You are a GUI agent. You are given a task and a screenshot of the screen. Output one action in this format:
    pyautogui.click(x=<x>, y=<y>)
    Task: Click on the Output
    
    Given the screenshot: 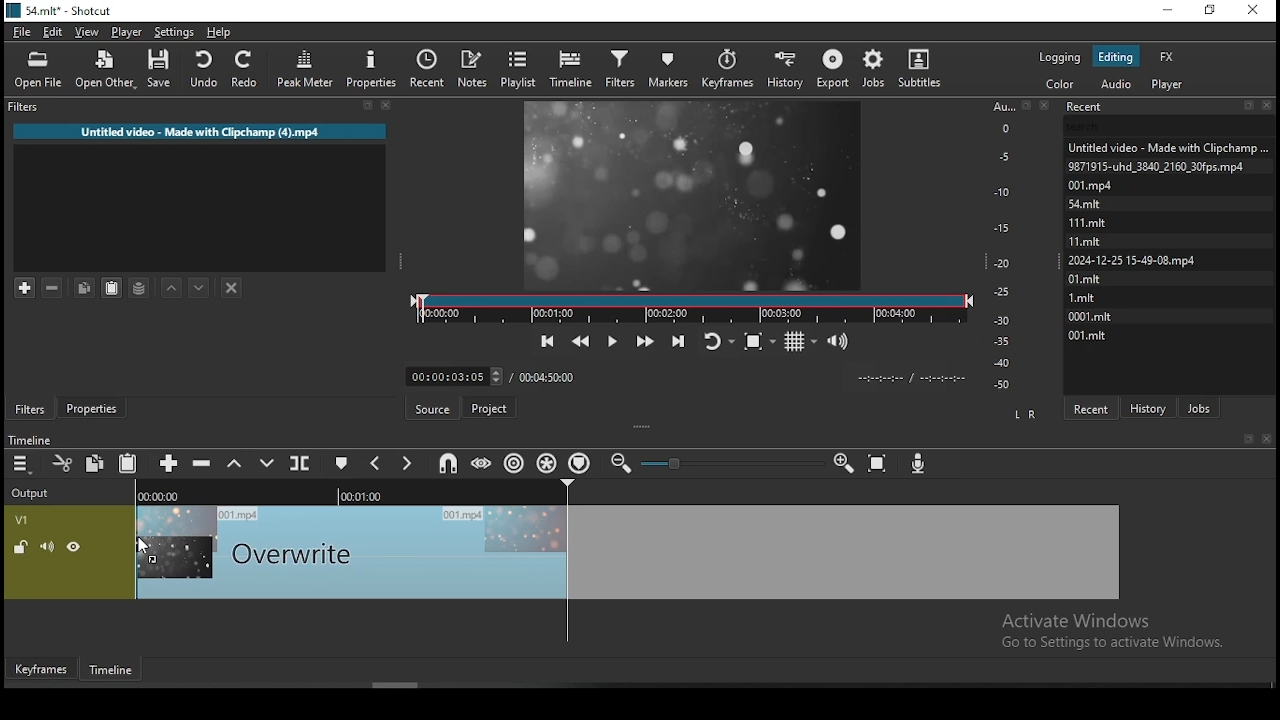 What is the action you would take?
    pyautogui.click(x=33, y=494)
    